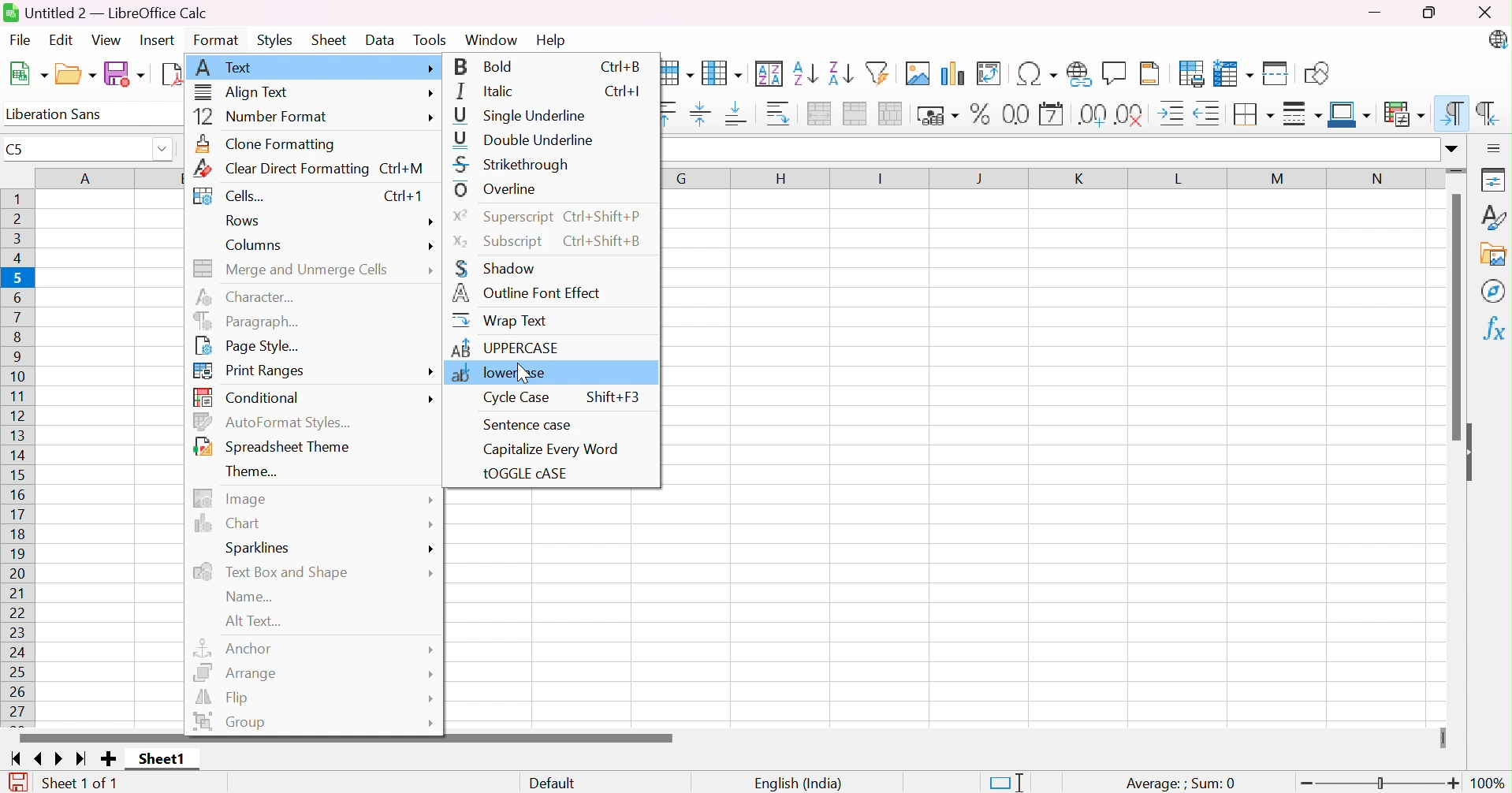 The height and width of the screenshot is (793, 1512). What do you see at coordinates (17, 758) in the screenshot?
I see `Scroll to first page` at bounding box center [17, 758].